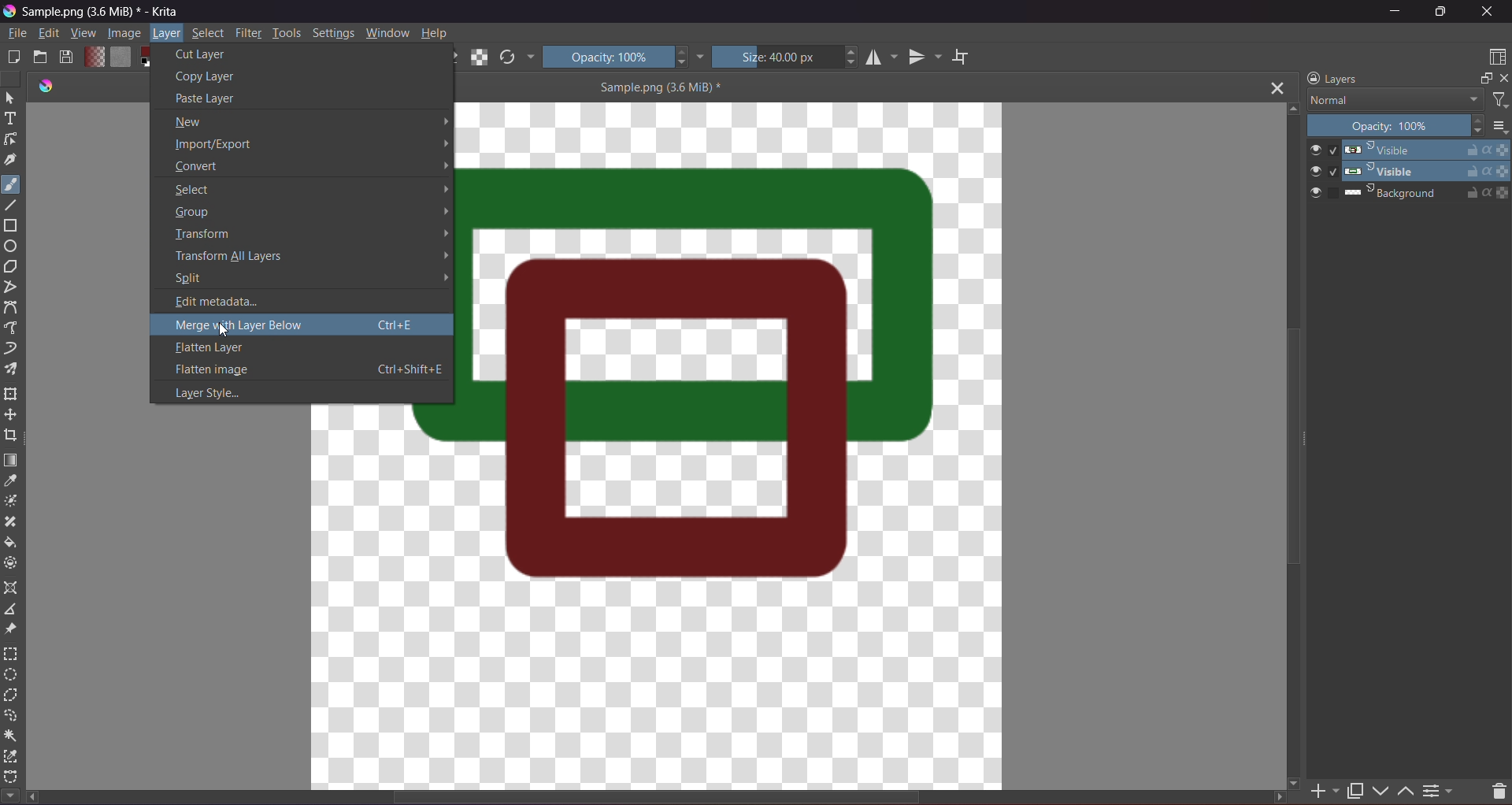 This screenshot has height=805, width=1512. What do you see at coordinates (14, 56) in the screenshot?
I see `New` at bounding box center [14, 56].